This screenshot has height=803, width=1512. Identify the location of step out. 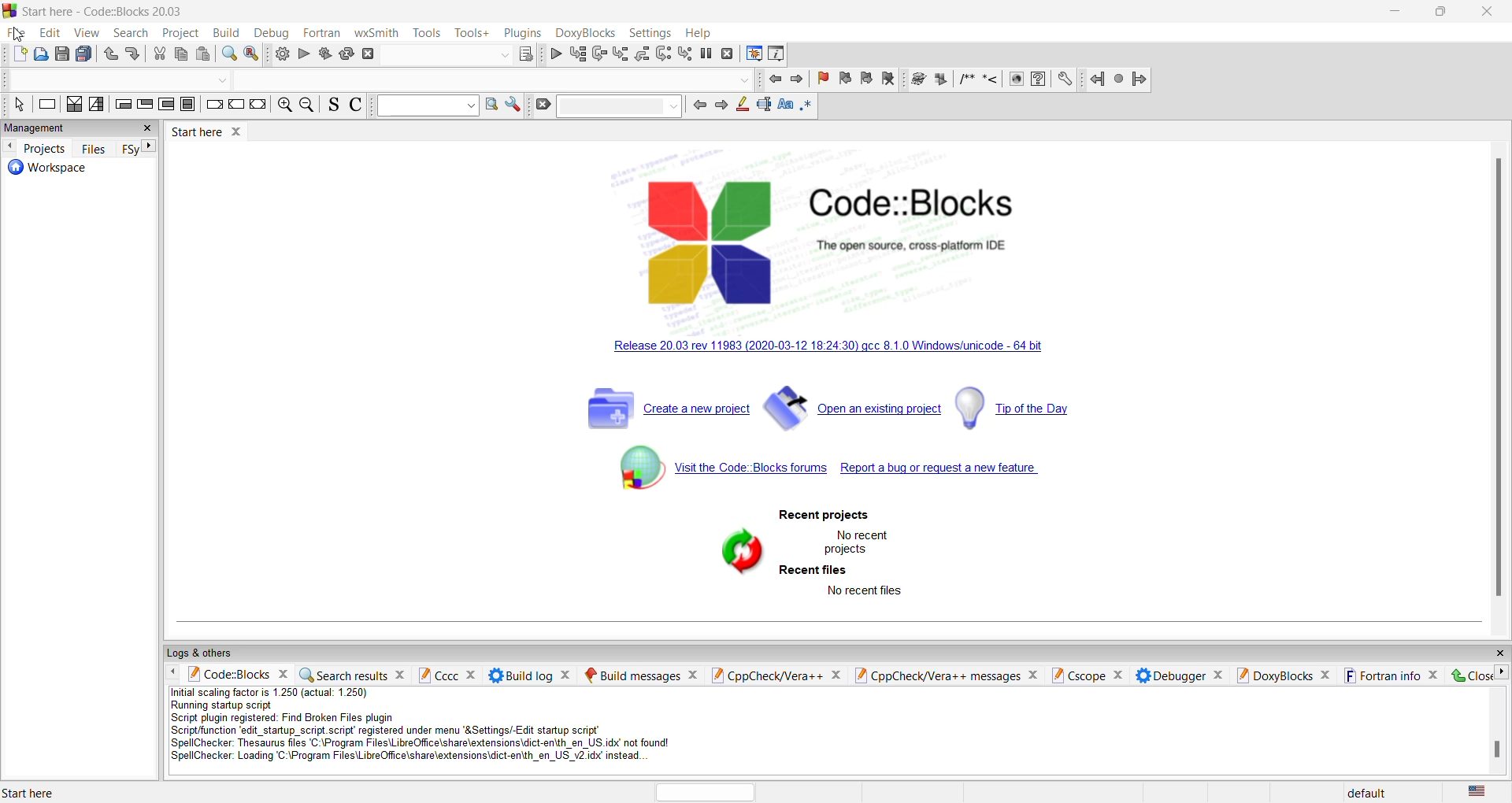
(643, 54).